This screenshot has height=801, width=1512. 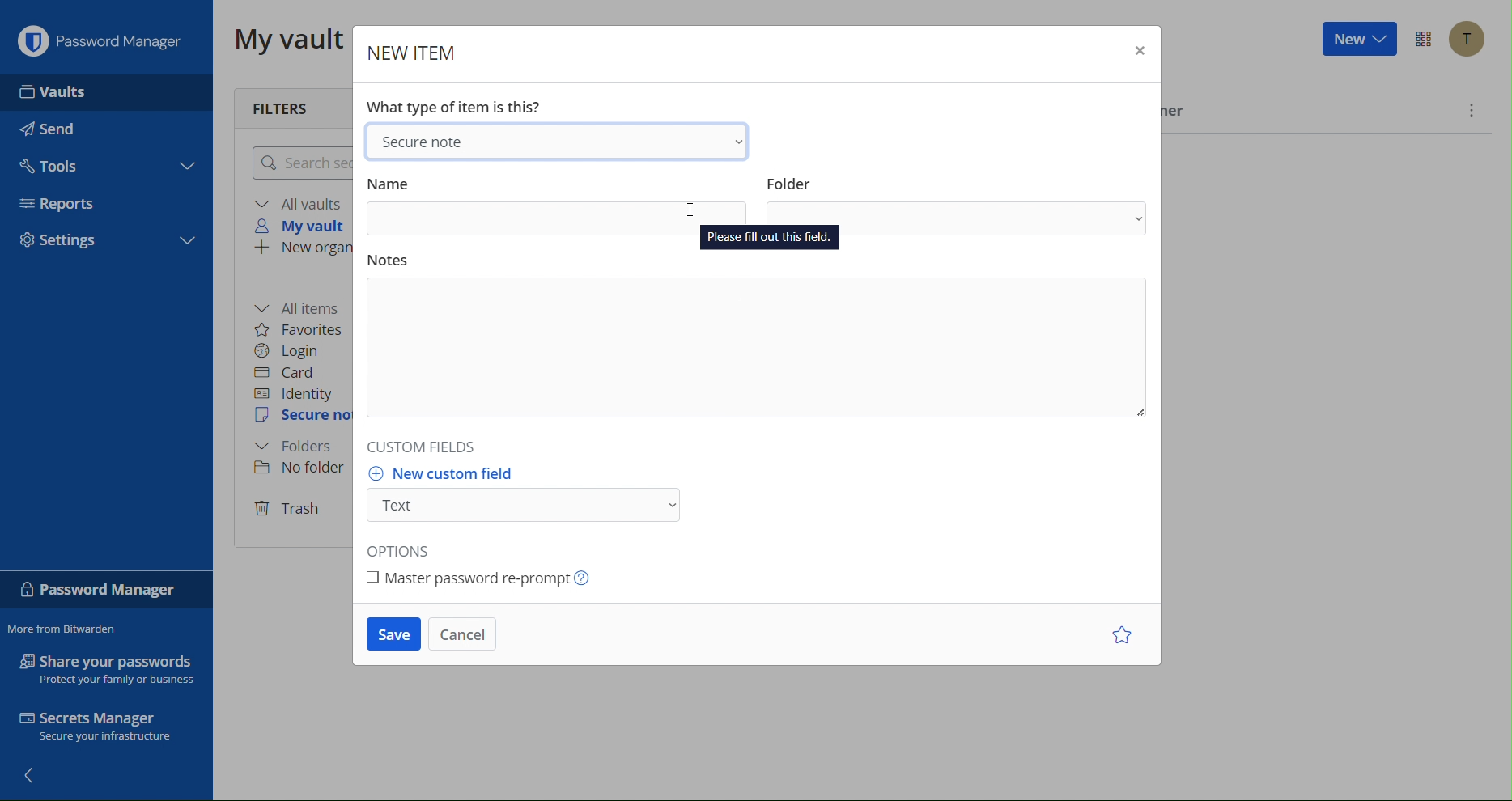 I want to click on New organization, so click(x=302, y=249).